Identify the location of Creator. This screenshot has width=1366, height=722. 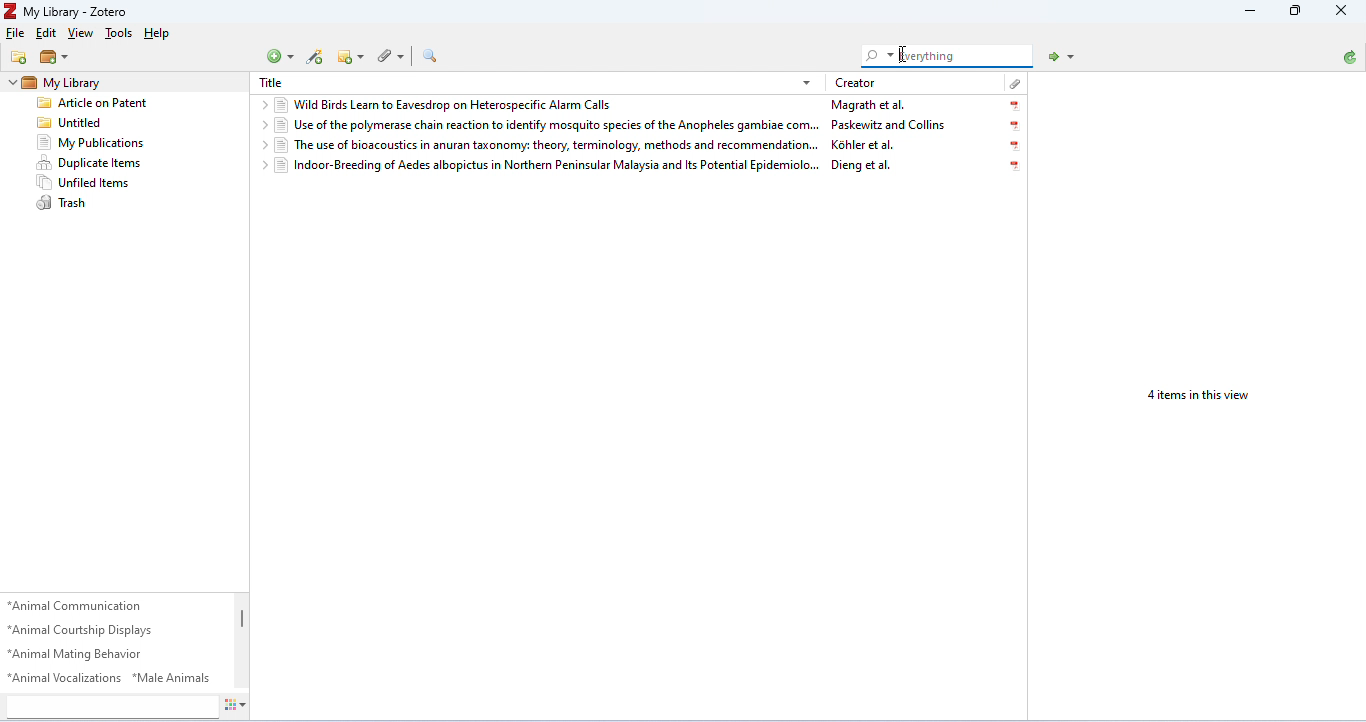
(855, 84).